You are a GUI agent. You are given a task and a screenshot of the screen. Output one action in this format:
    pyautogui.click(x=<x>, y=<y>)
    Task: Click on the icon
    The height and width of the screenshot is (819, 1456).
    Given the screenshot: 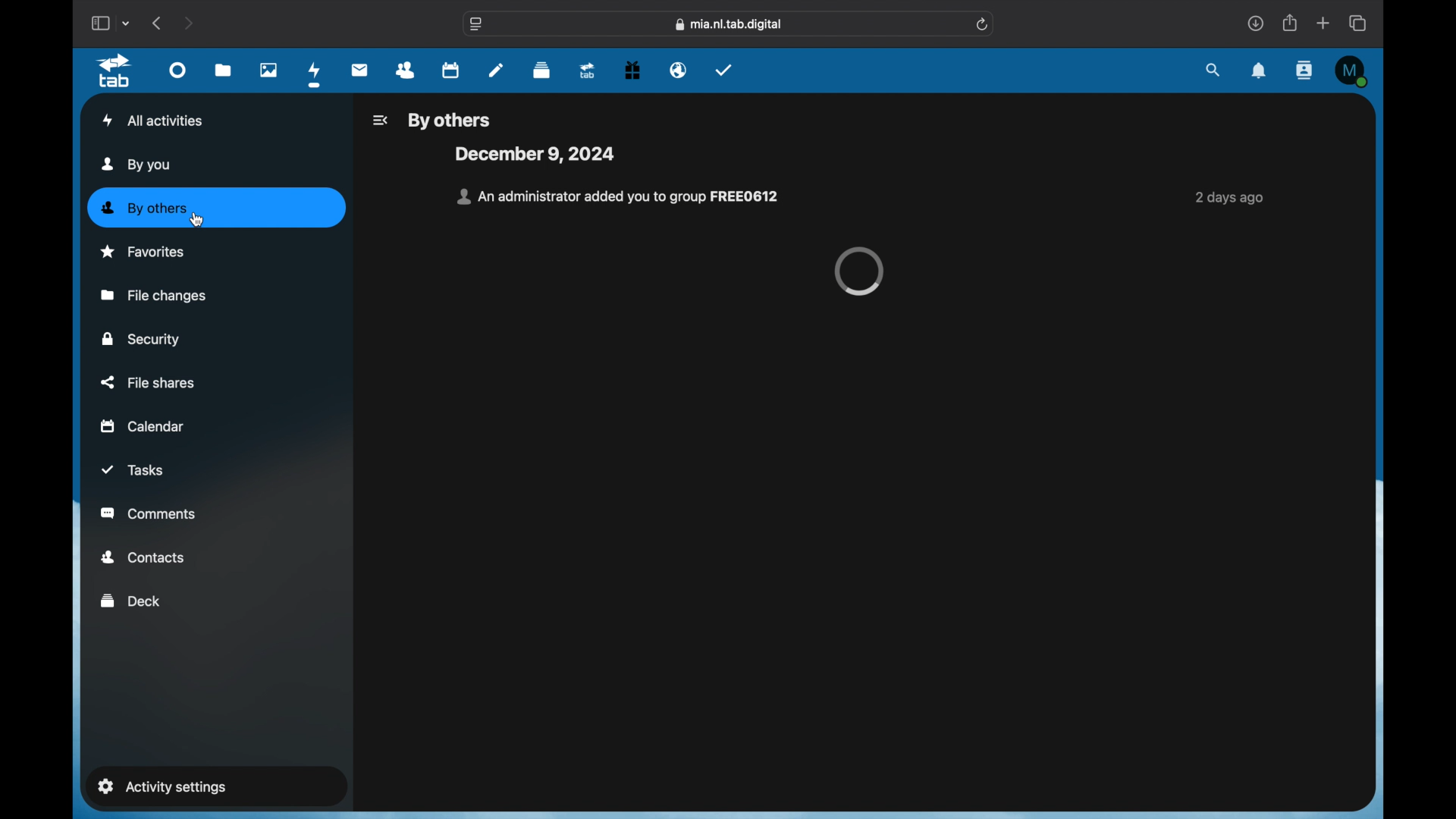 What is the action you would take?
    pyautogui.click(x=380, y=119)
    